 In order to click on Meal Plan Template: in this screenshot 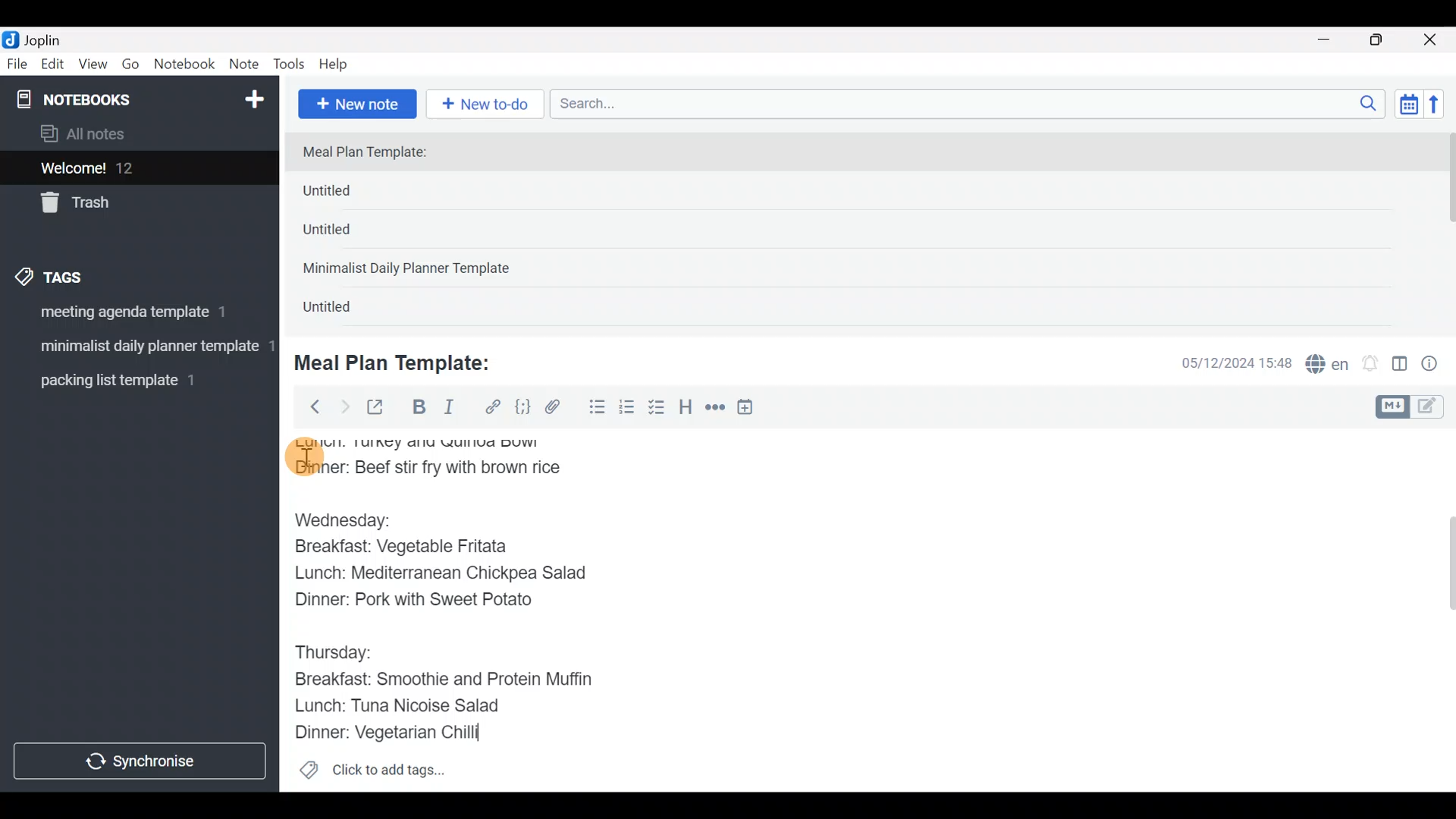, I will do `click(402, 361)`.